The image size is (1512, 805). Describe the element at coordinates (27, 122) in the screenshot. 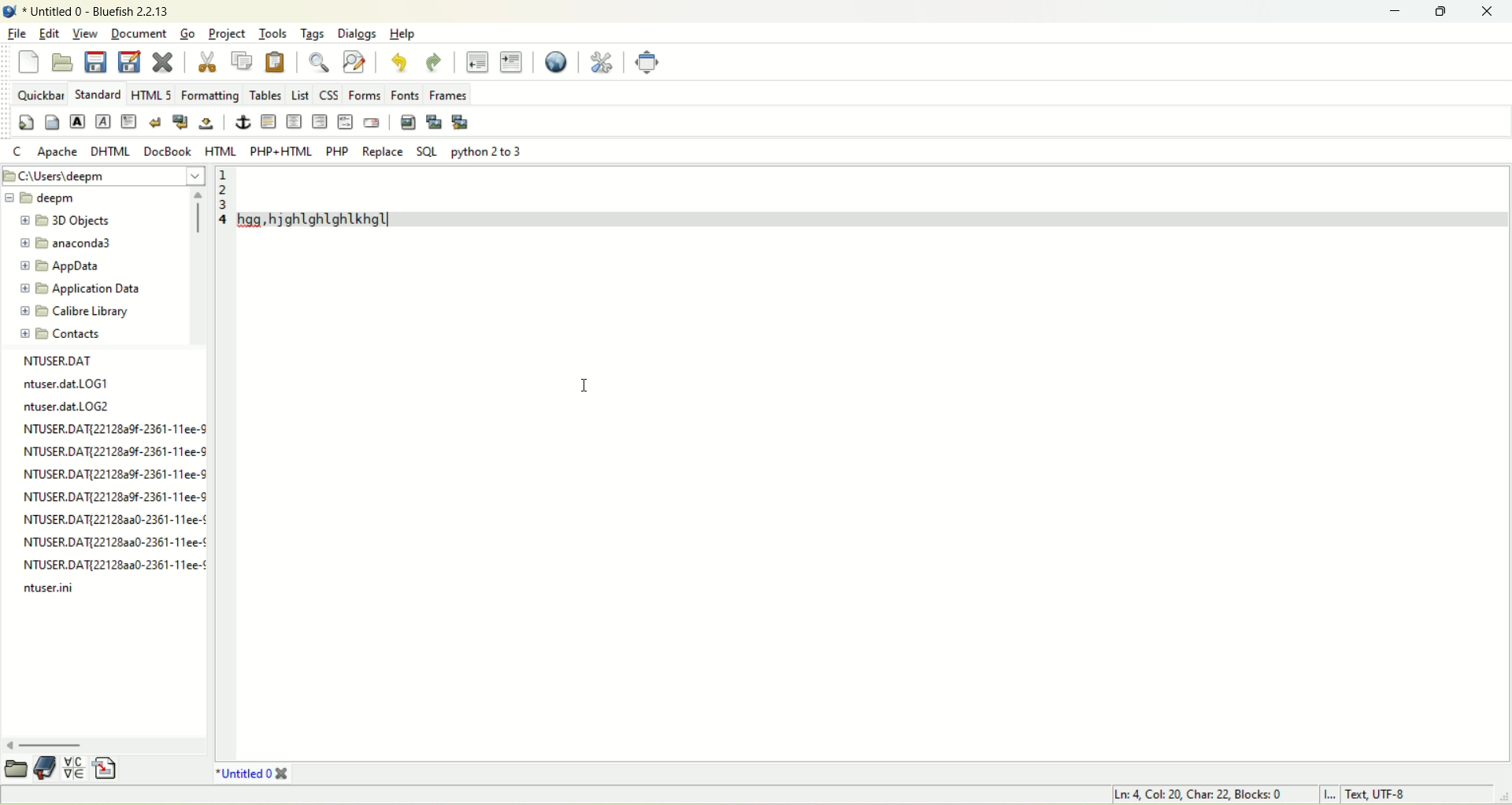

I see `quickbar settings` at that location.